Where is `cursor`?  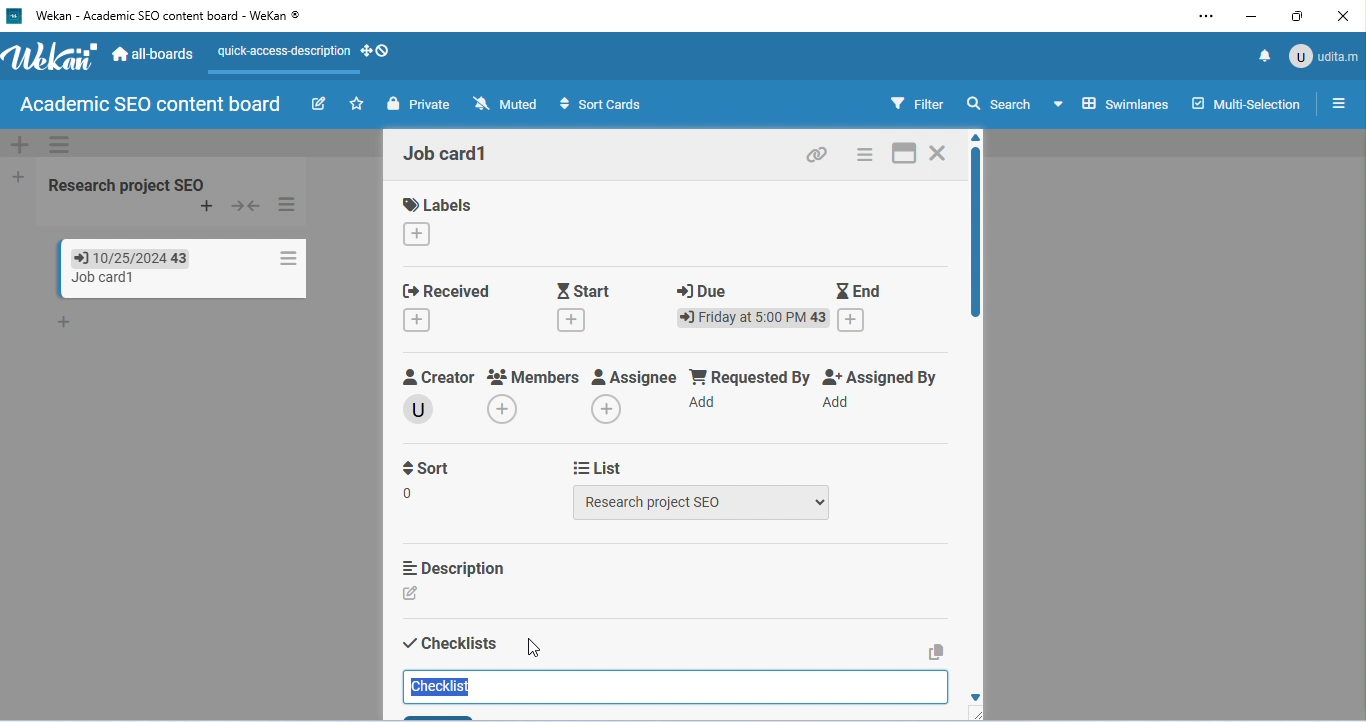
cursor is located at coordinates (532, 647).